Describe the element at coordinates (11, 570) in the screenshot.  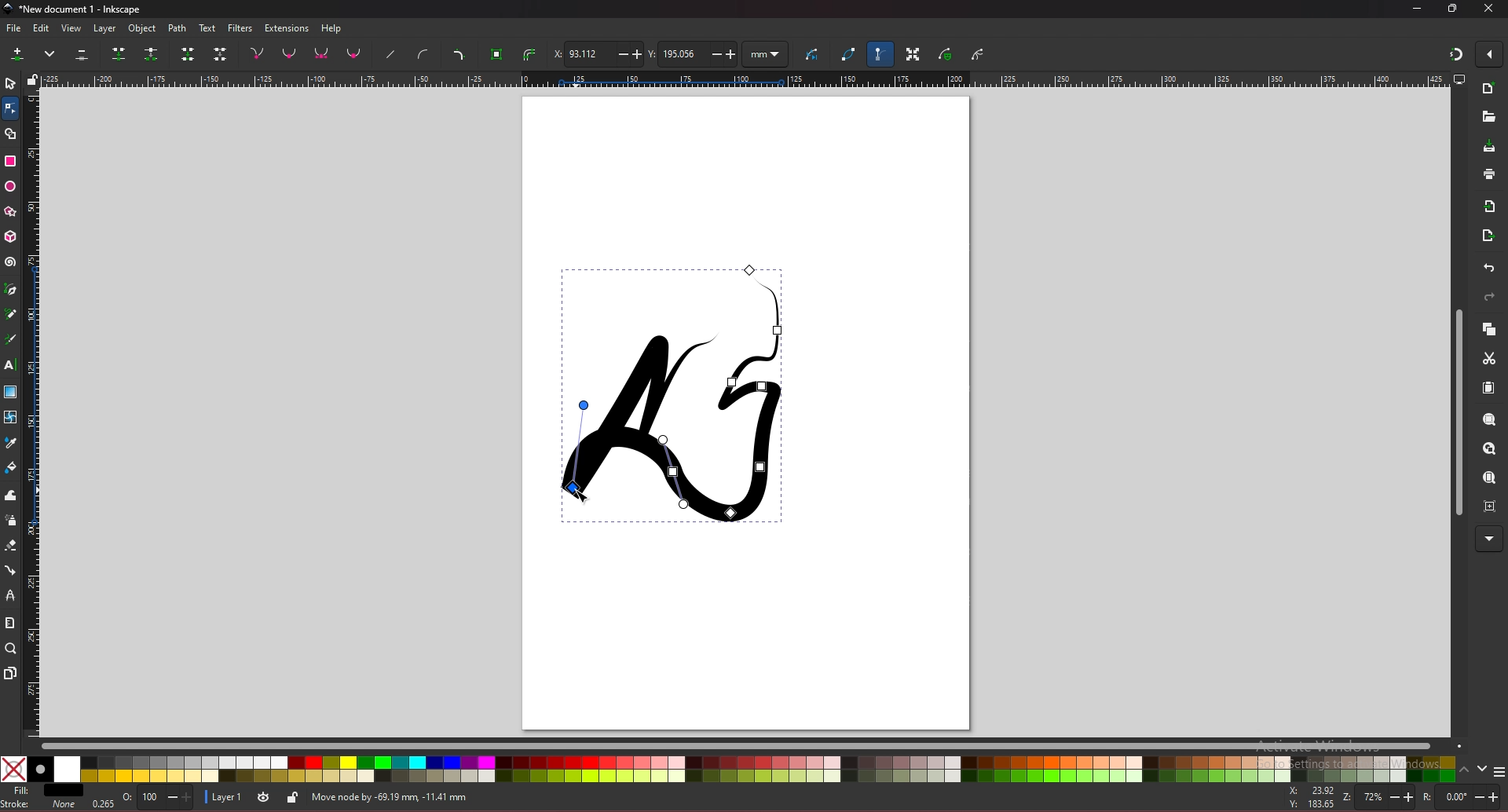
I see `connector` at that location.